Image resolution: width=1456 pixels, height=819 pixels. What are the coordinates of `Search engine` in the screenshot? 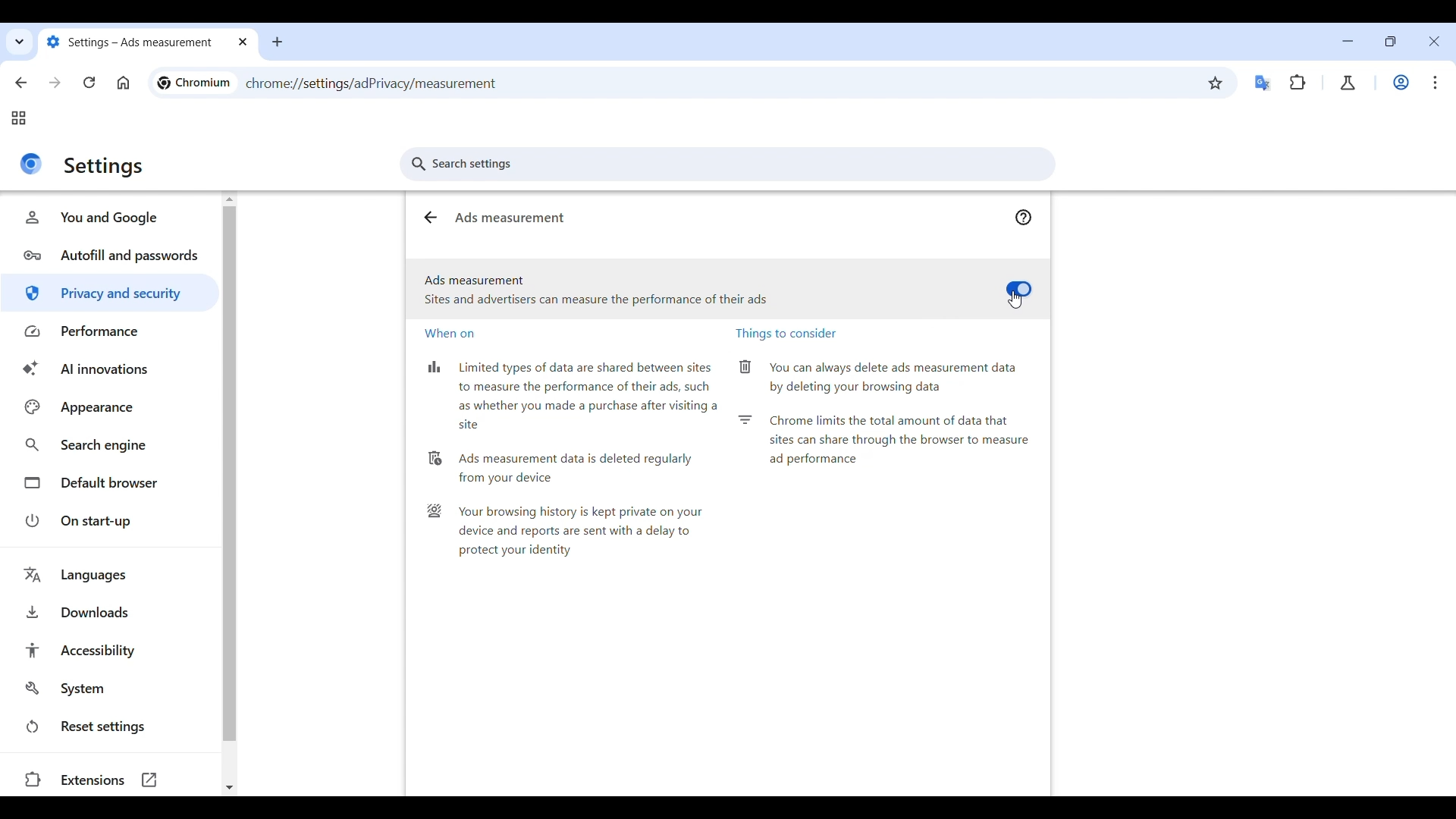 It's located at (109, 446).